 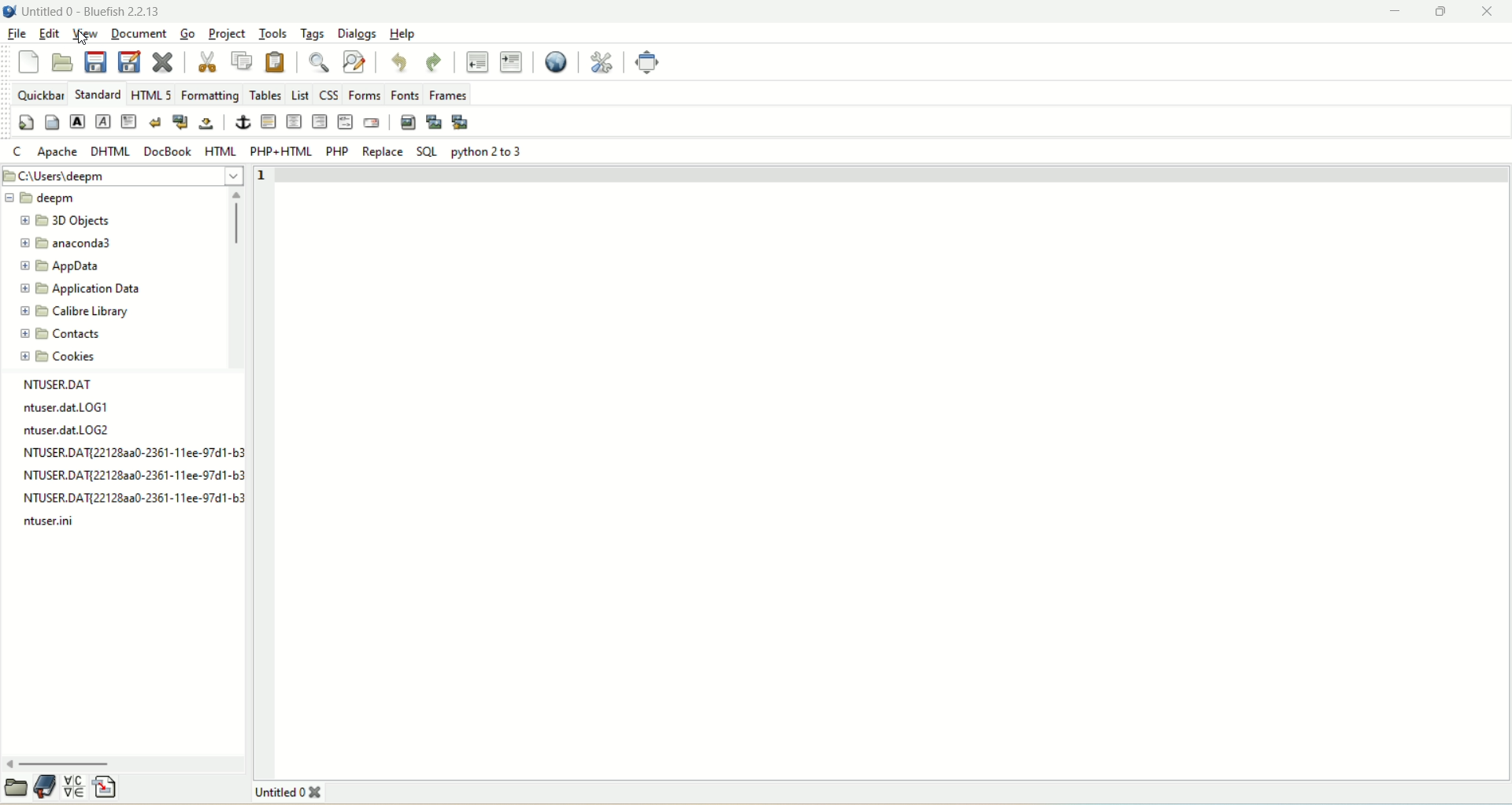 What do you see at coordinates (401, 61) in the screenshot?
I see `undo` at bounding box center [401, 61].